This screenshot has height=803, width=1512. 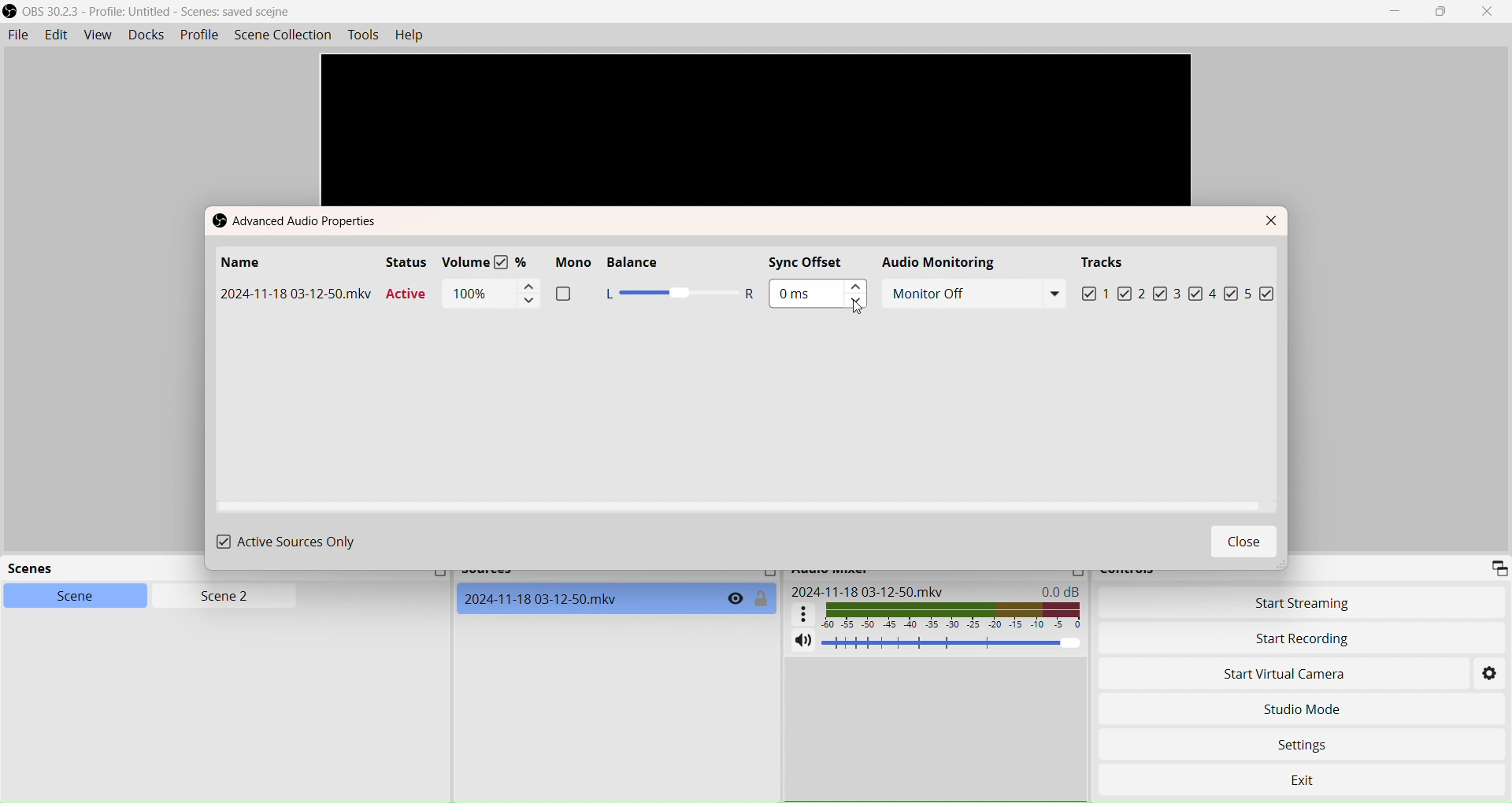 I want to click on Close, so click(x=1273, y=220).